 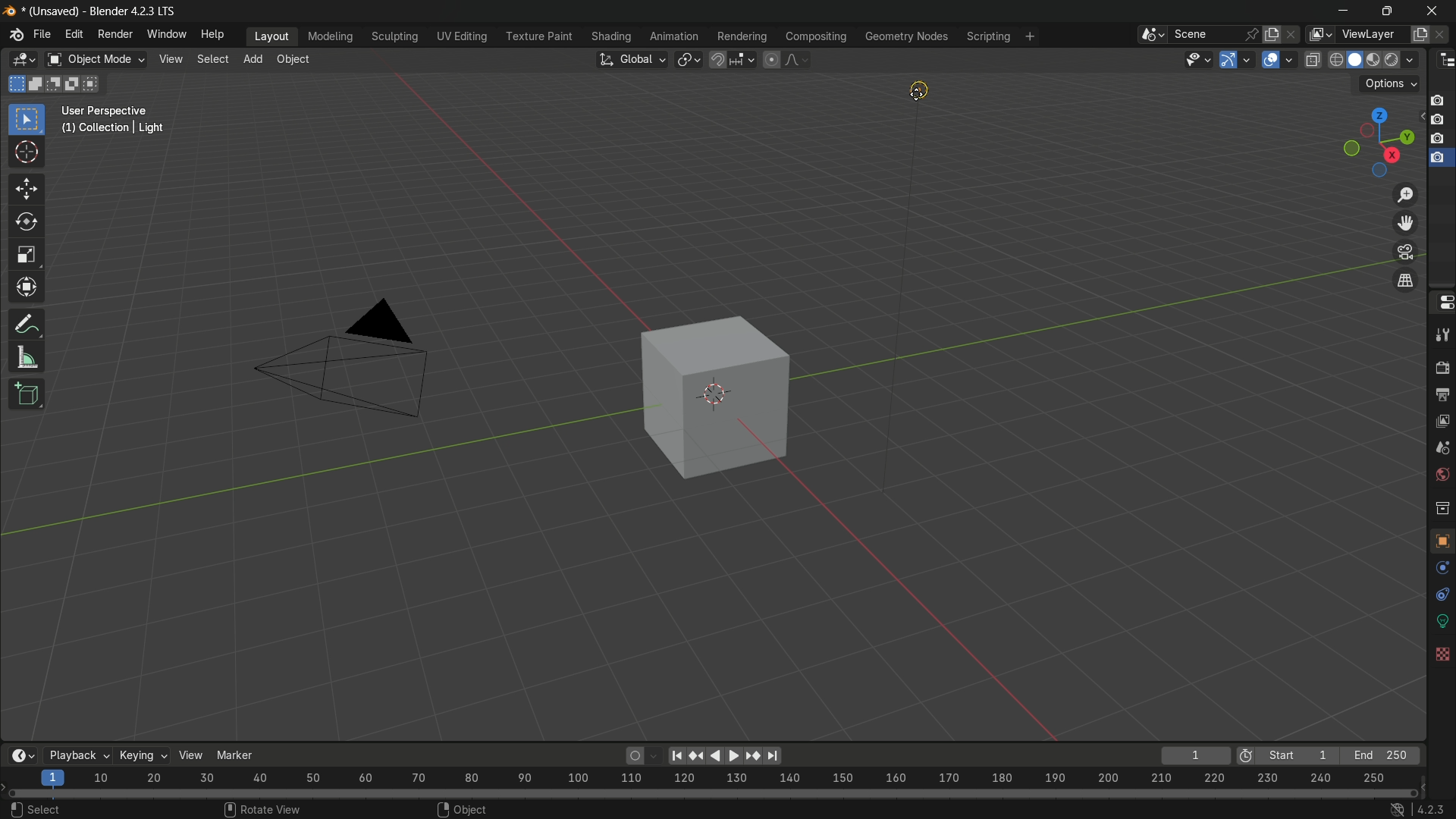 I want to click on zoom in/out, so click(x=1405, y=194).